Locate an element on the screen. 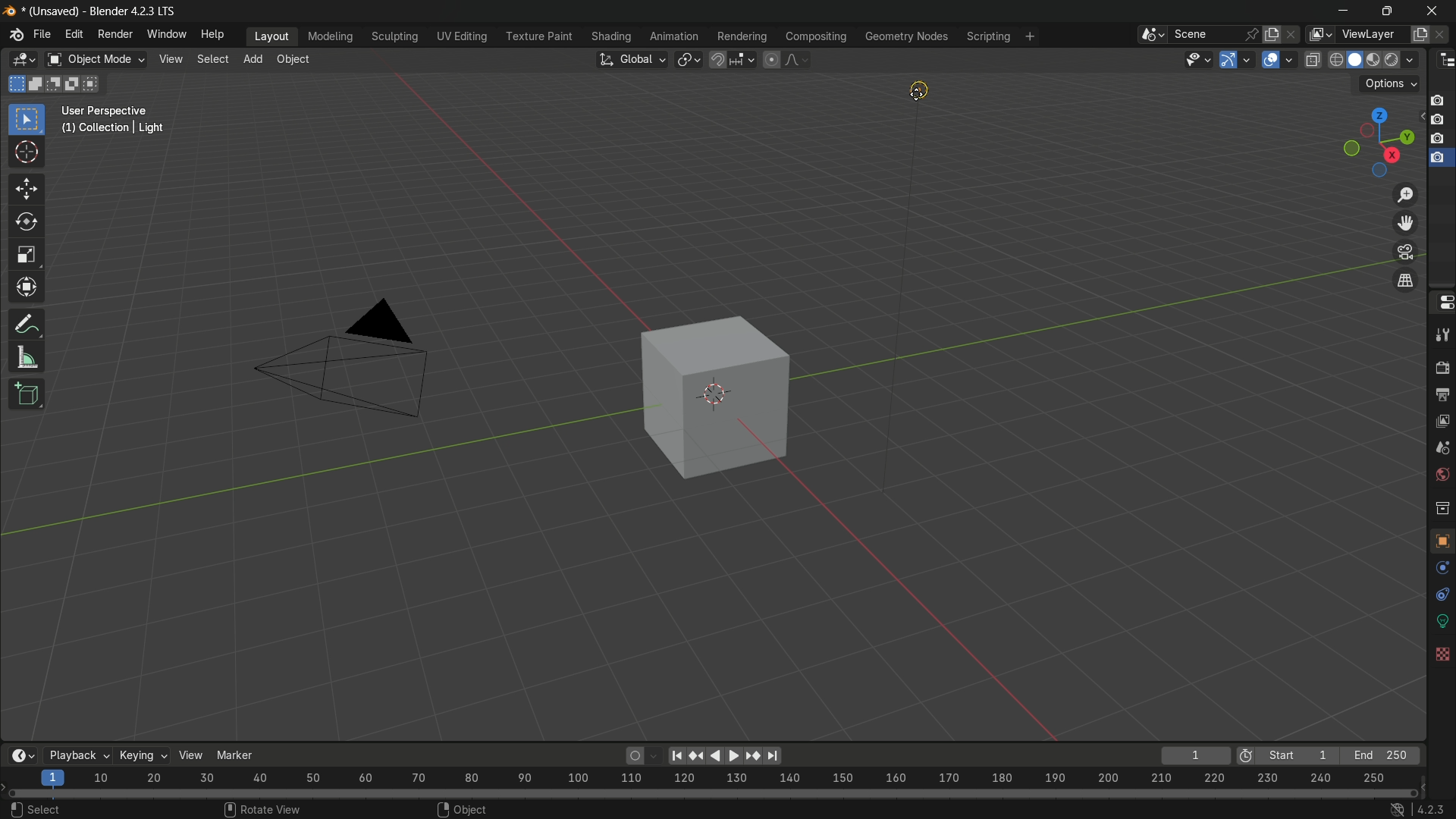  capture is located at coordinates (1438, 140).